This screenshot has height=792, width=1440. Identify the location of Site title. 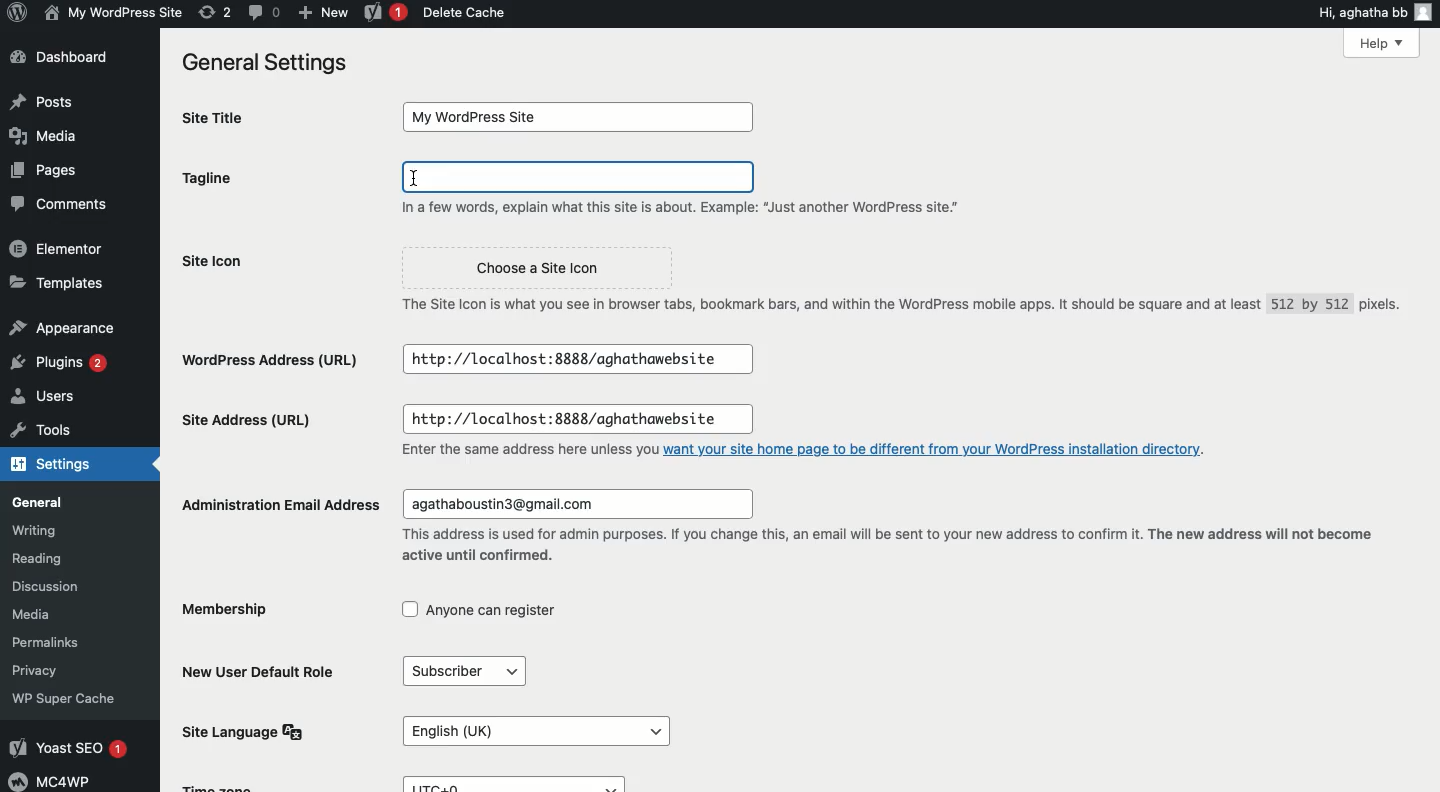
(223, 117).